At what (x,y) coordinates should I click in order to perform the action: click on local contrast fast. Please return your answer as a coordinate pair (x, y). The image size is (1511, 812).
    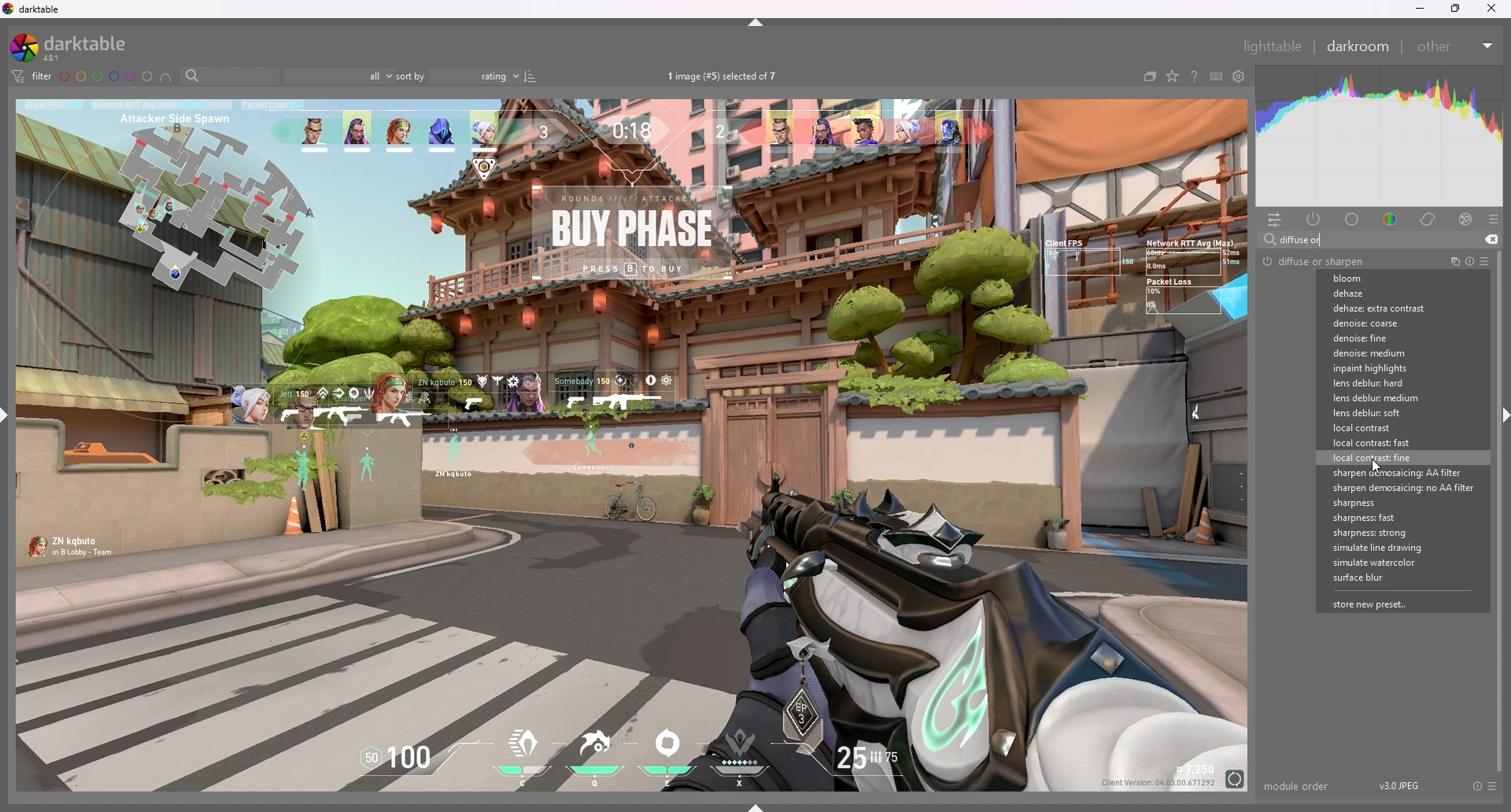
    Looking at the image, I should click on (1387, 443).